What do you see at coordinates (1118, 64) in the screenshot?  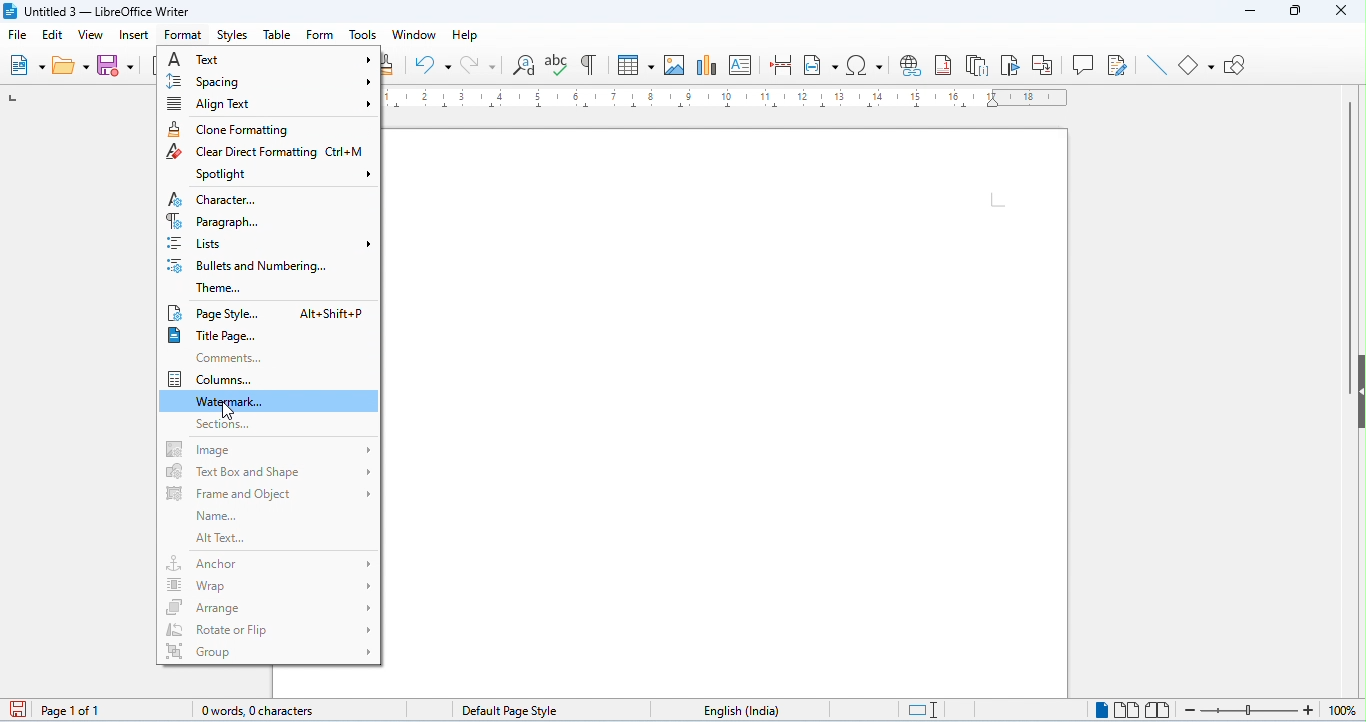 I see `show track changes` at bounding box center [1118, 64].